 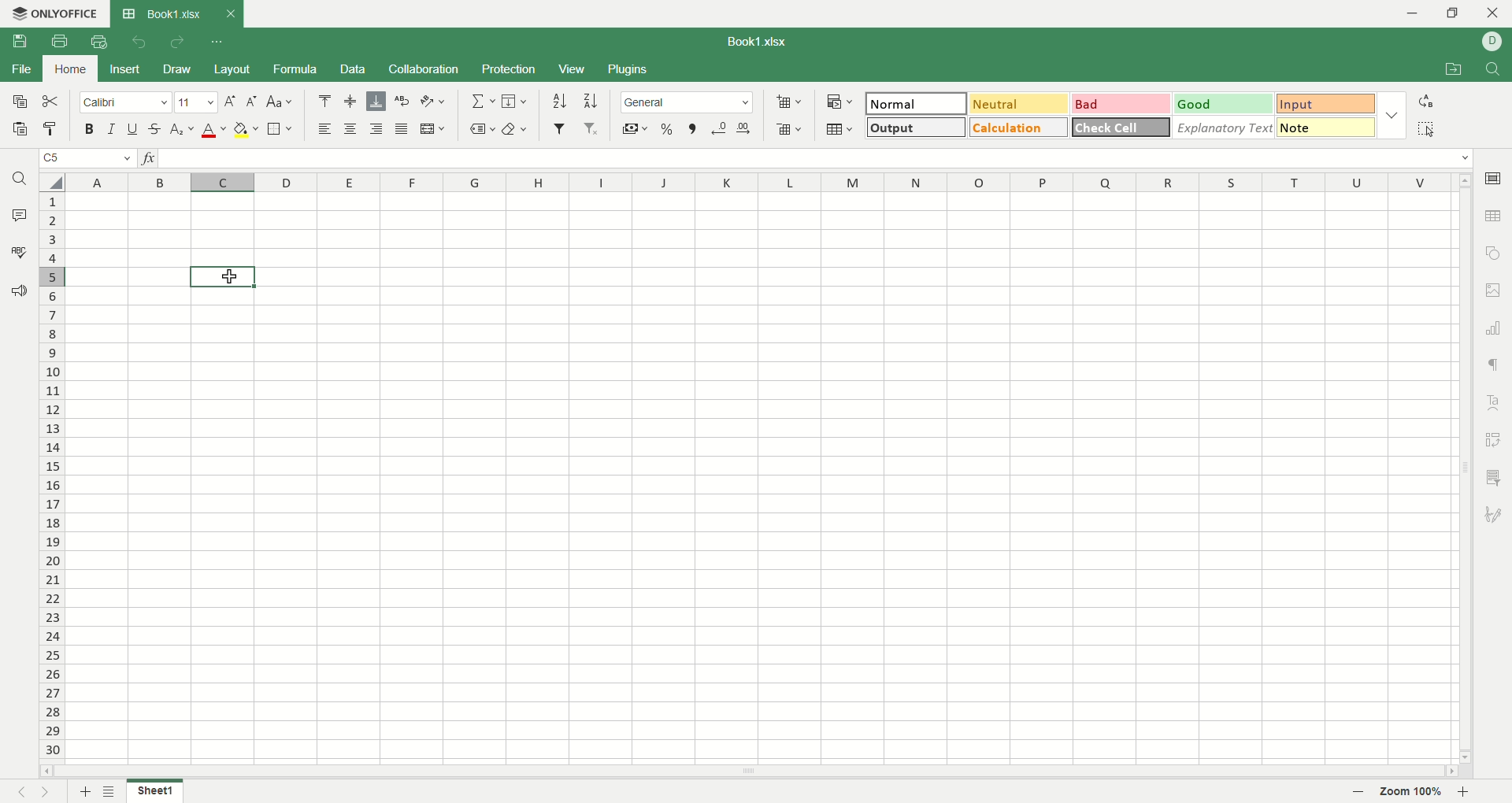 What do you see at coordinates (125, 104) in the screenshot?
I see `font` at bounding box center [125, 104].